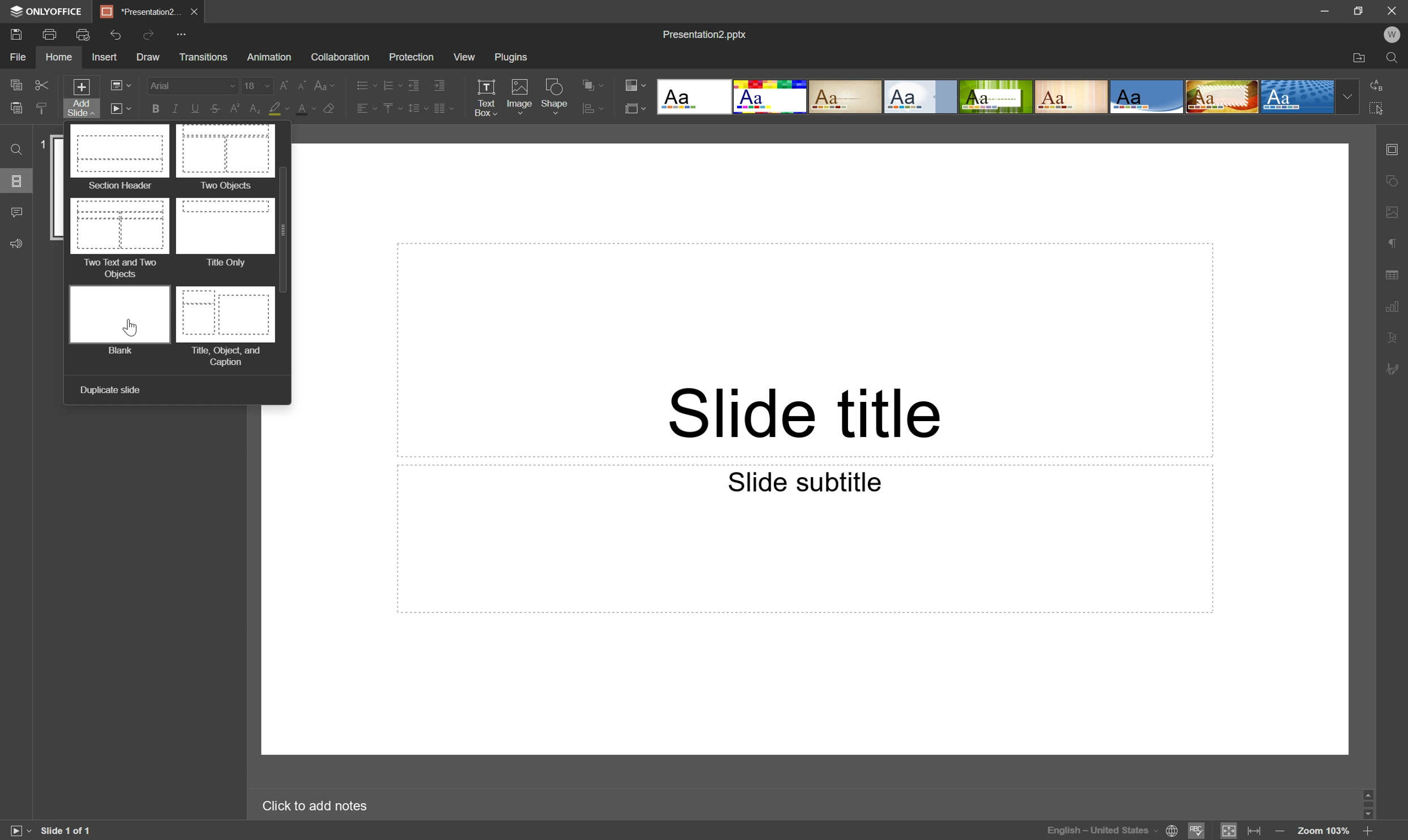  I want to click on Animation, so click(267, 57).